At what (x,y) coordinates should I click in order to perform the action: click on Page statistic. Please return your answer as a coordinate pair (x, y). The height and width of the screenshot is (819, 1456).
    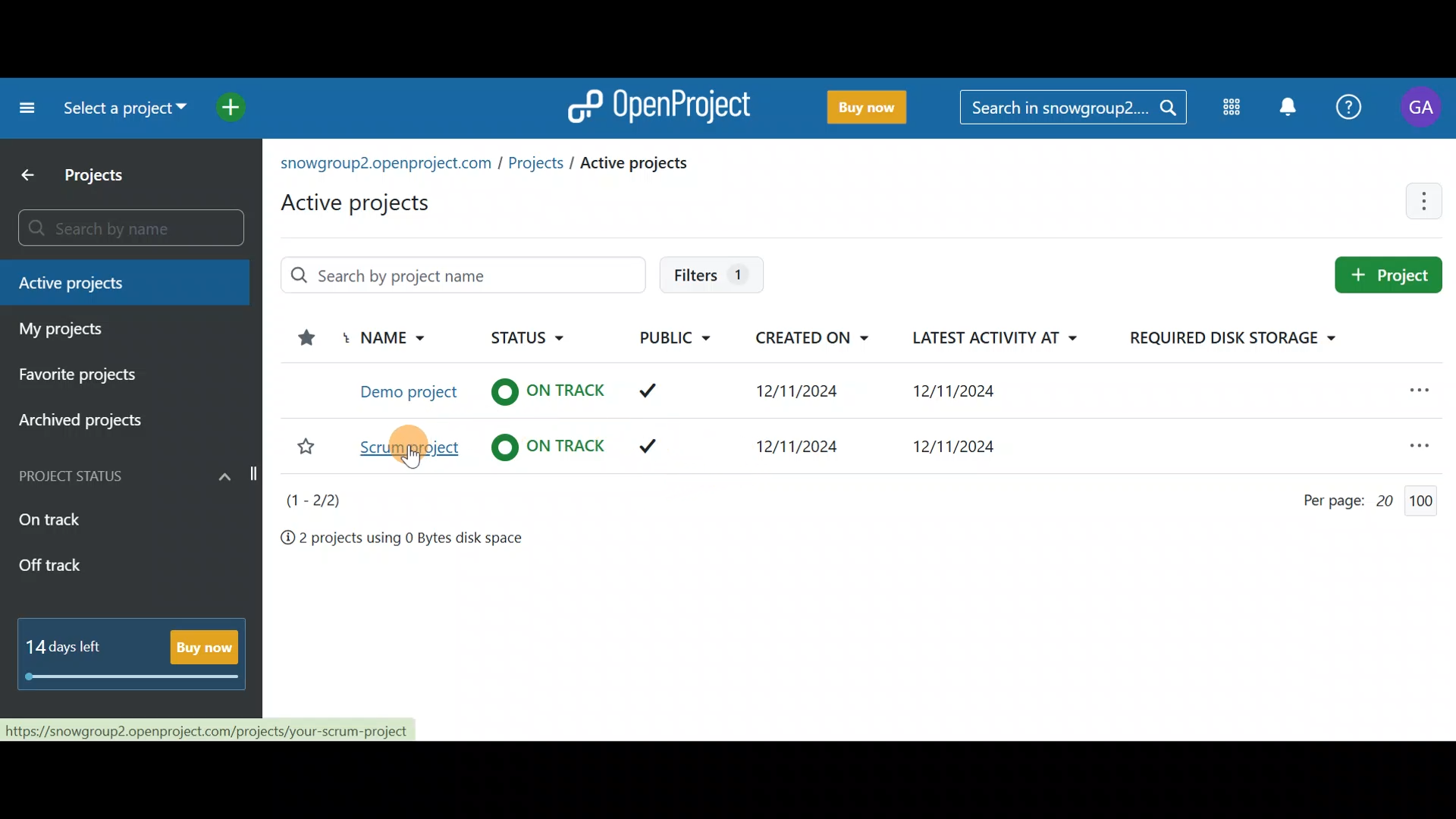
    Looking at the image, I should click on (1369, 504).